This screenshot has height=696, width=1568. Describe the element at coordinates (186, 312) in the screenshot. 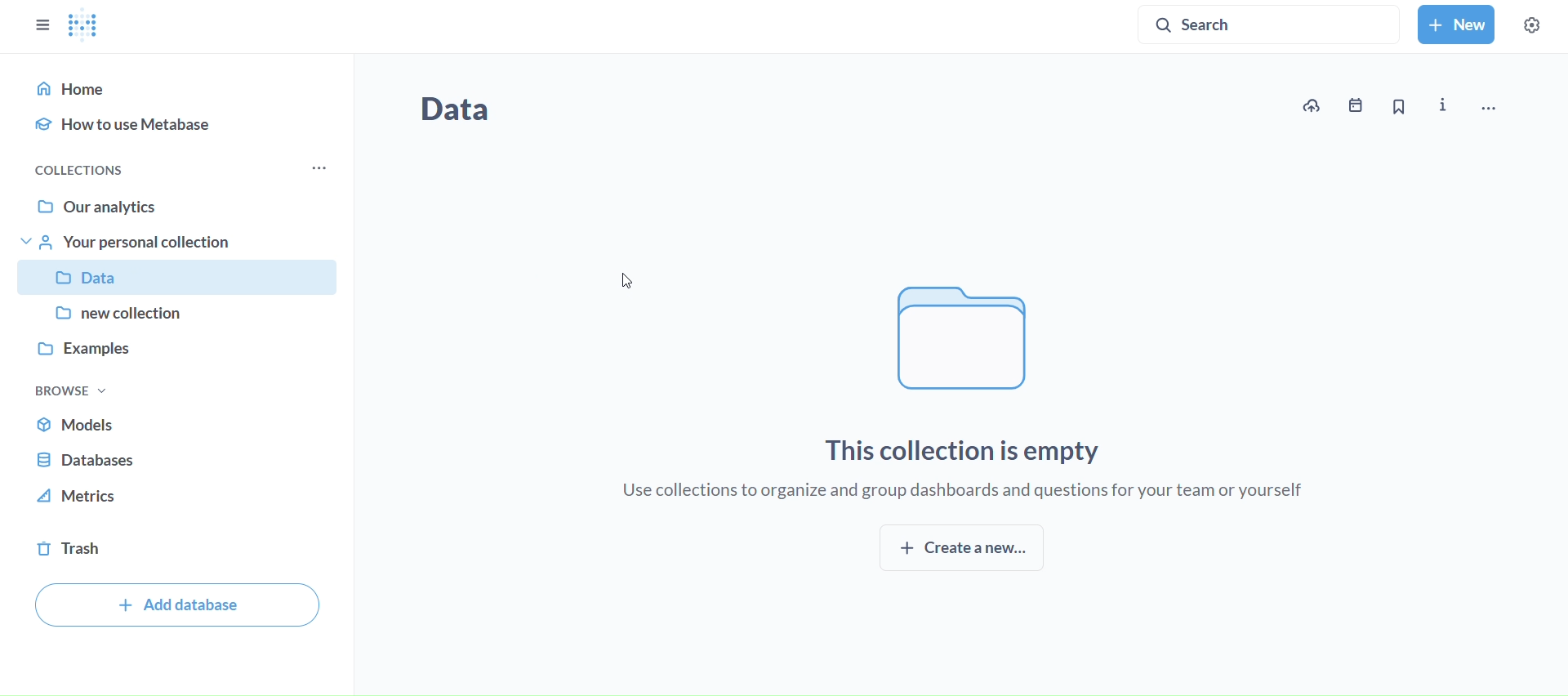

I see ` new collection` at that location.